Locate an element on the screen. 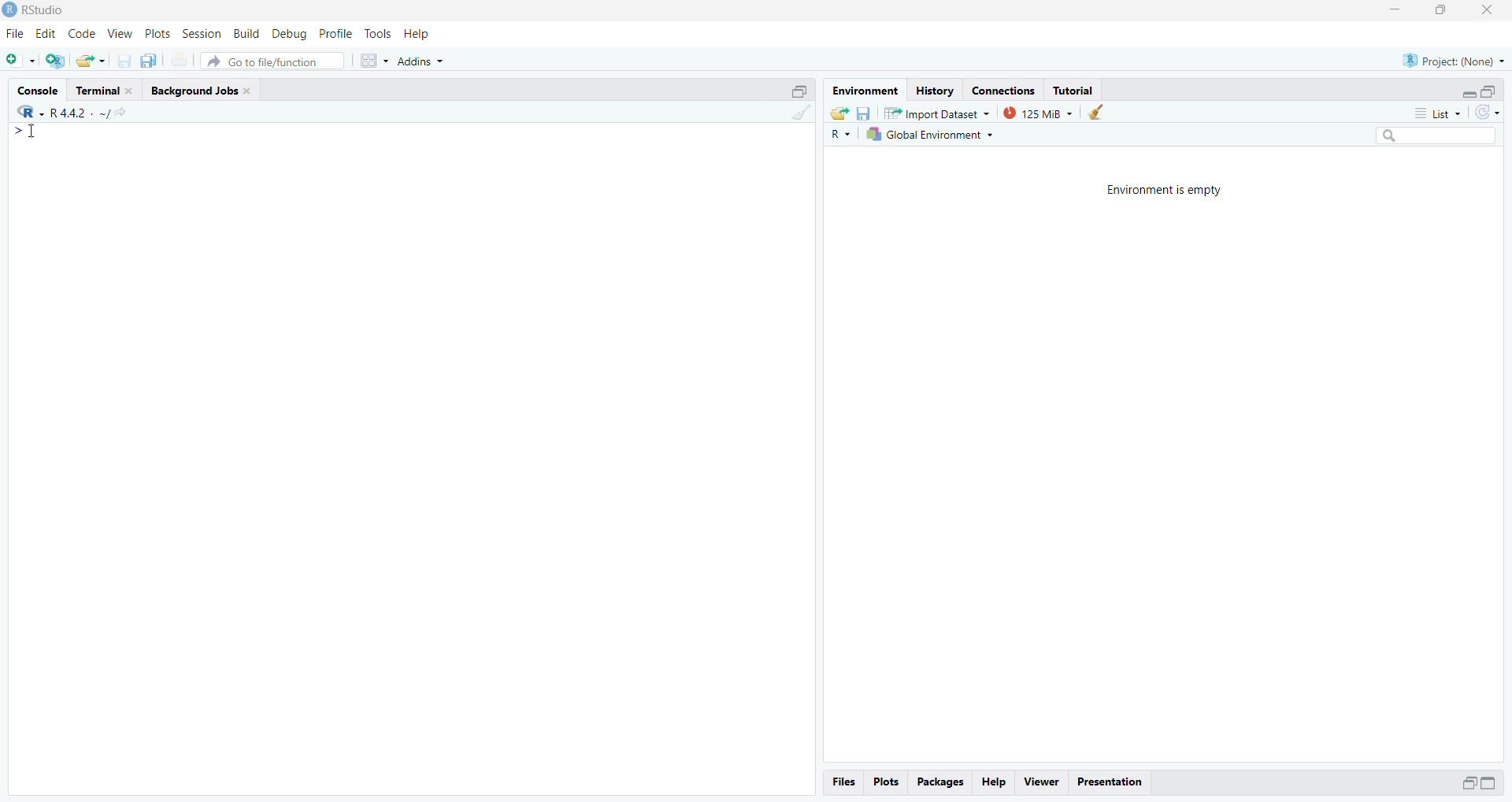  save current document is located at coordinates (124, 60).